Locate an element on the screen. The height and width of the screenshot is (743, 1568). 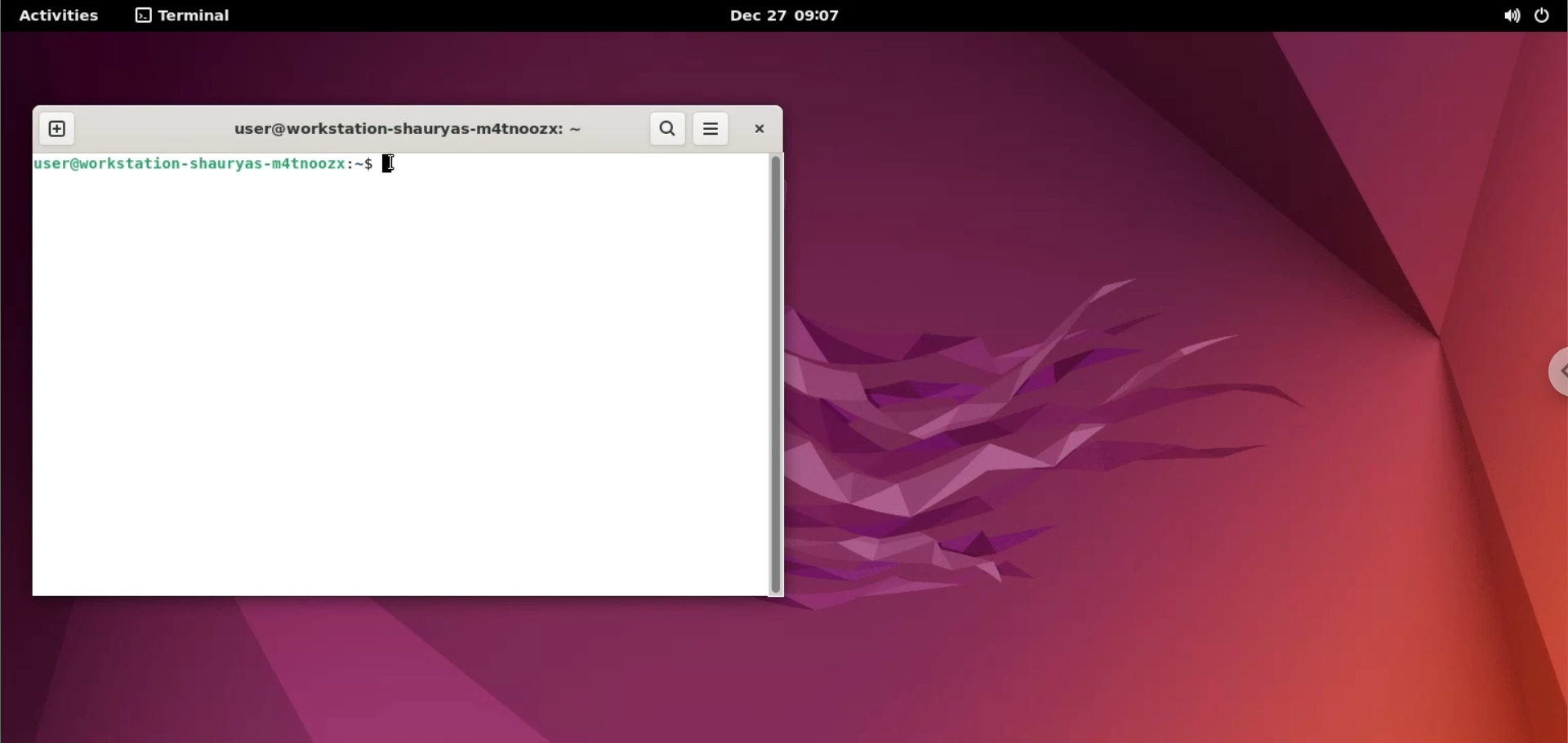
terminal is located at coordinates (184, 15).